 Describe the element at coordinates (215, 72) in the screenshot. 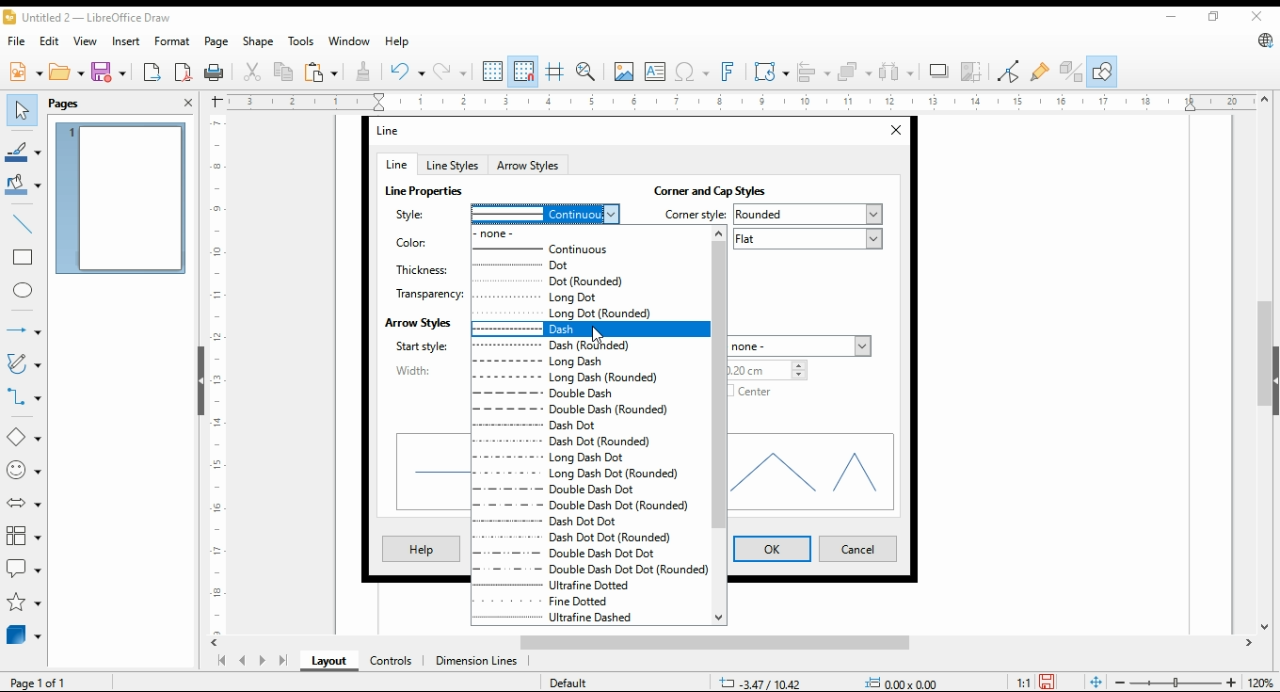

I see `print` at that location.